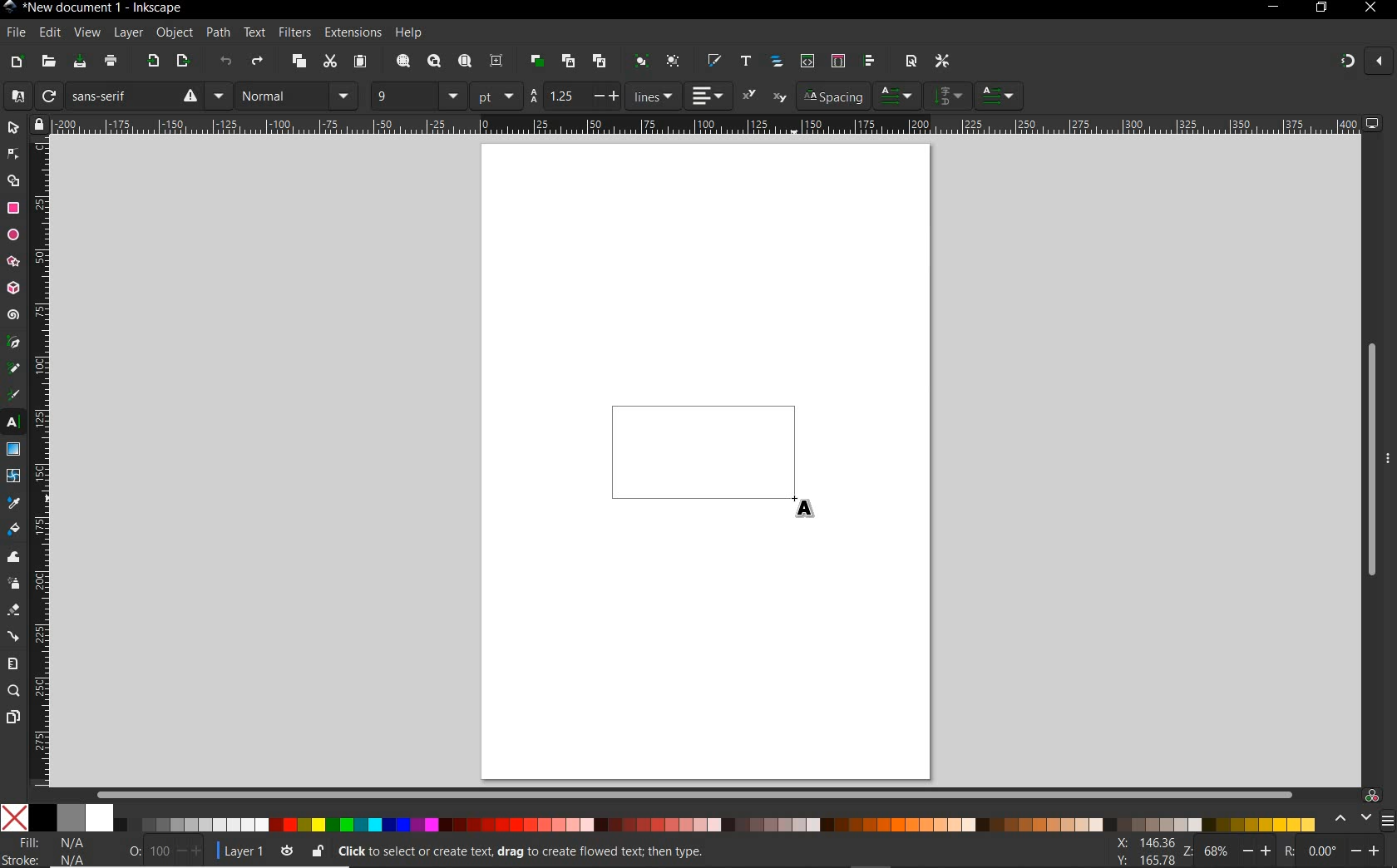 Image resolution: width=1397 pixels, height=868 pixels. I want to click on ungroup, so click(673, 62).